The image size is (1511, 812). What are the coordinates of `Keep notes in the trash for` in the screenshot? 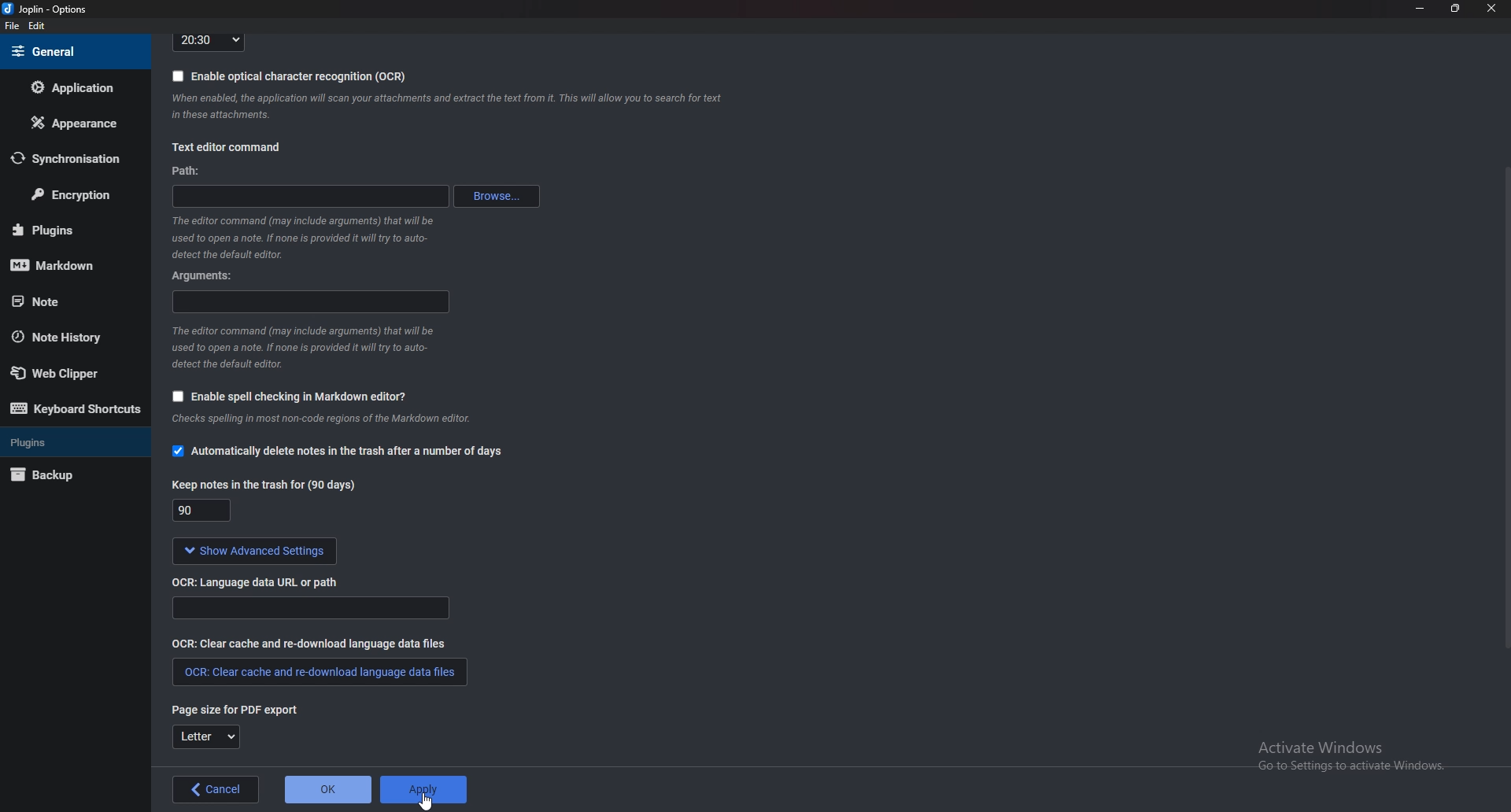 It's located at (205, 512).